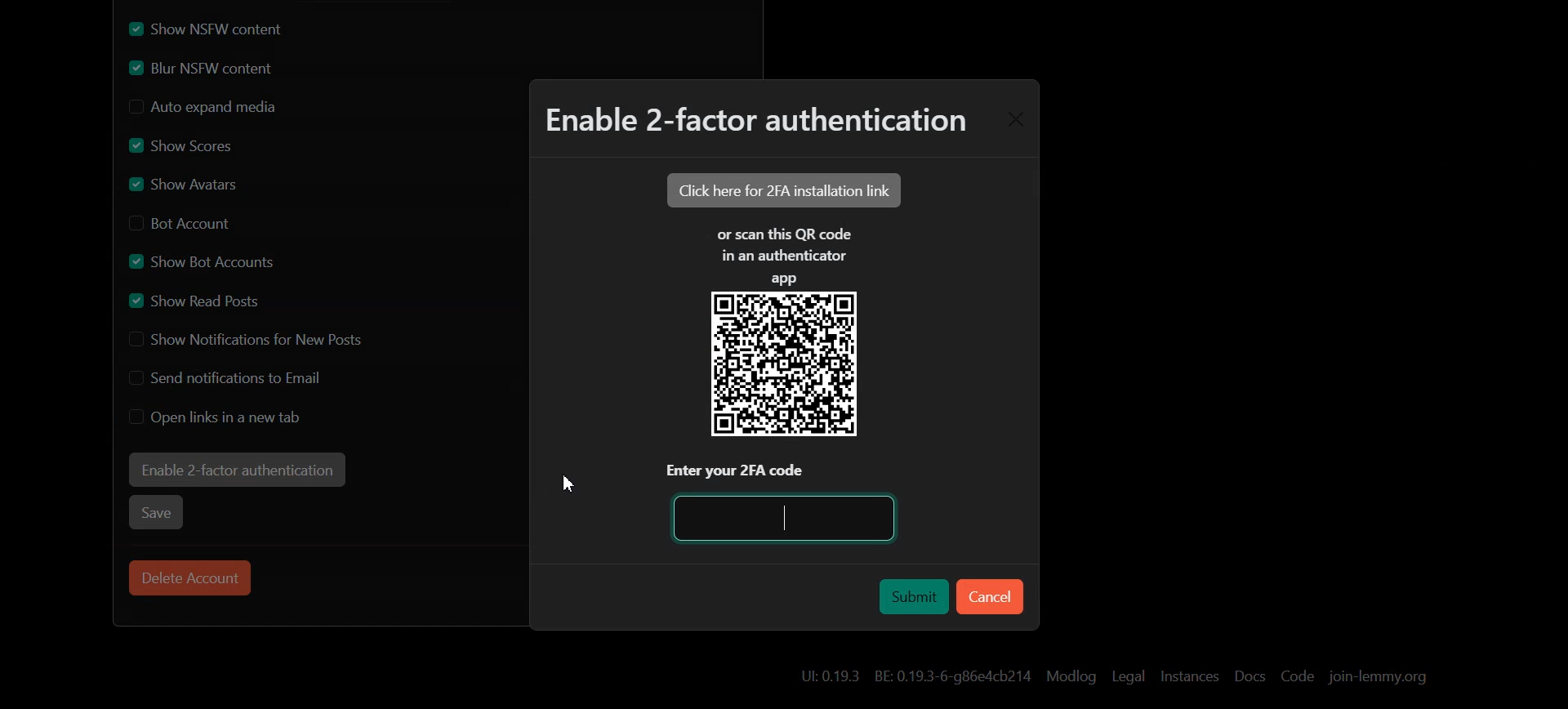  Describe the element at coordinates (784, 254) in the screenshot. I see `Text` at that location.